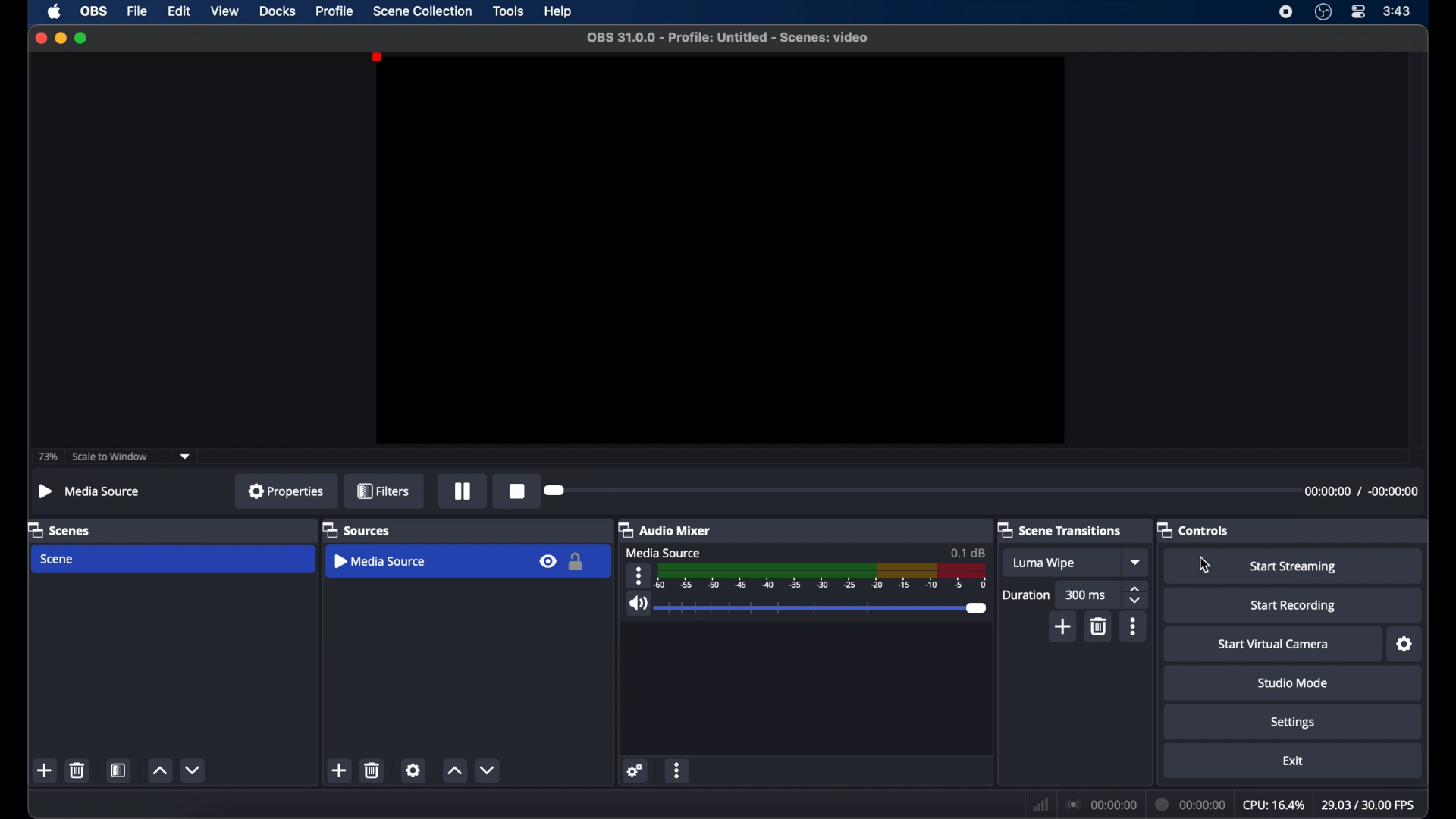 Image resolution: width=1456 pixels, height=819 pixels. I want to click on 3:43, so click(1398, 11).